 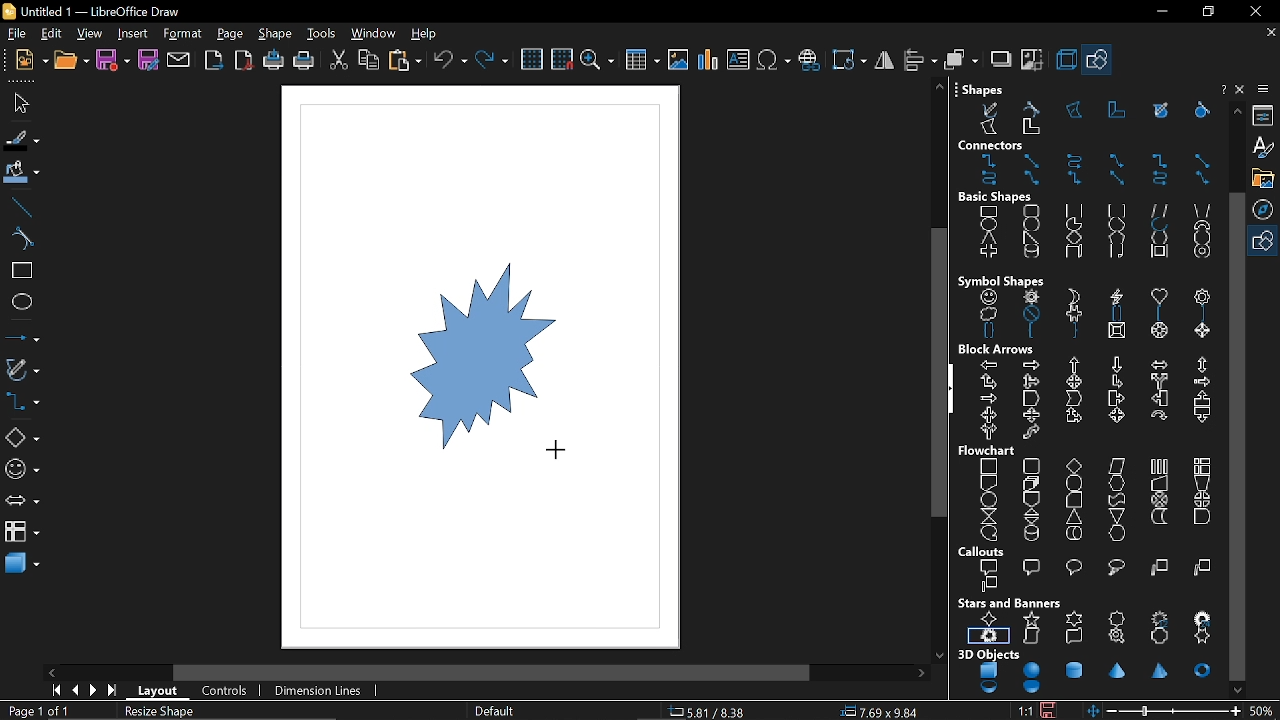 I want to click on shape, so click(x=277, y=35).